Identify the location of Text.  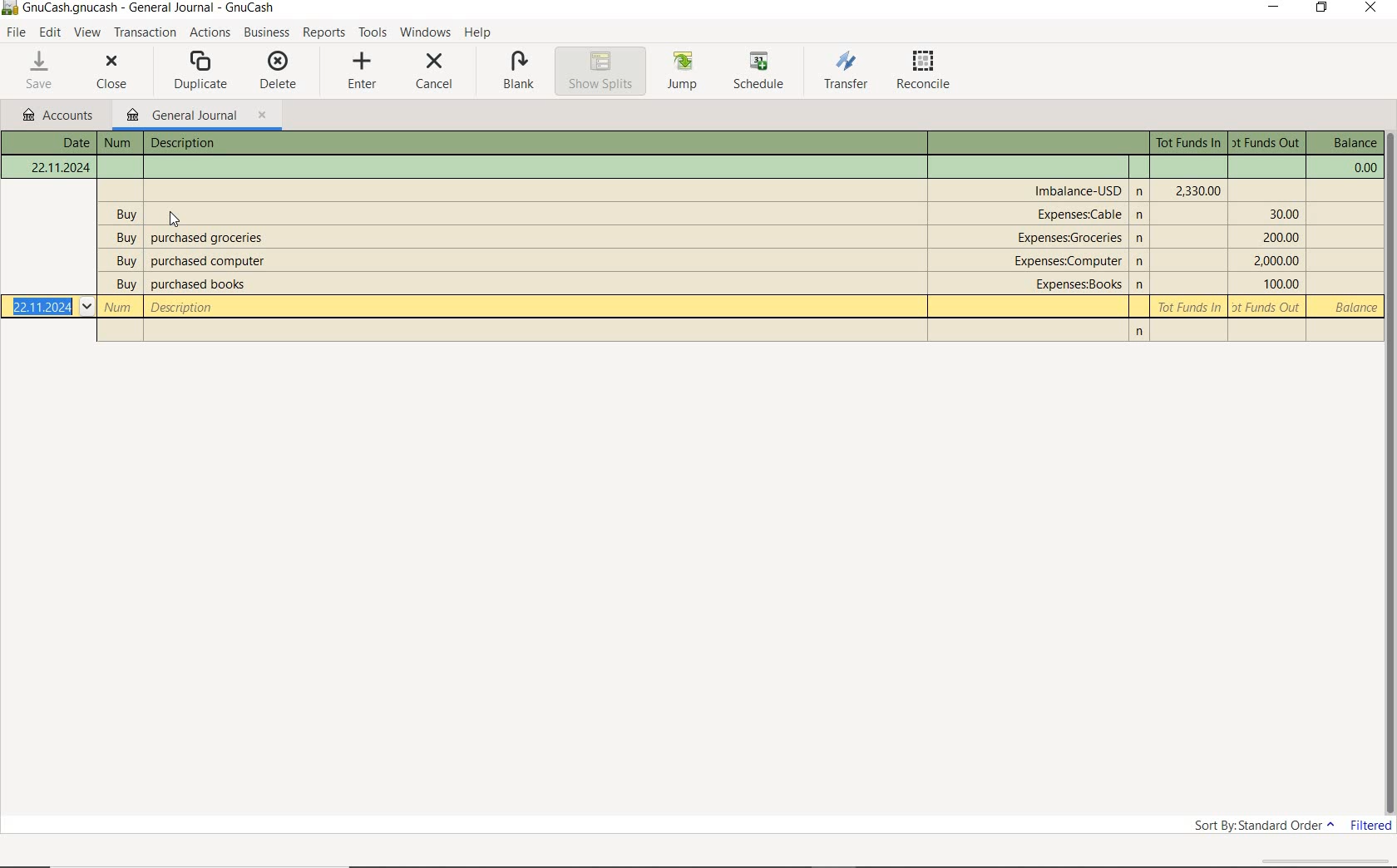
(703, 214).